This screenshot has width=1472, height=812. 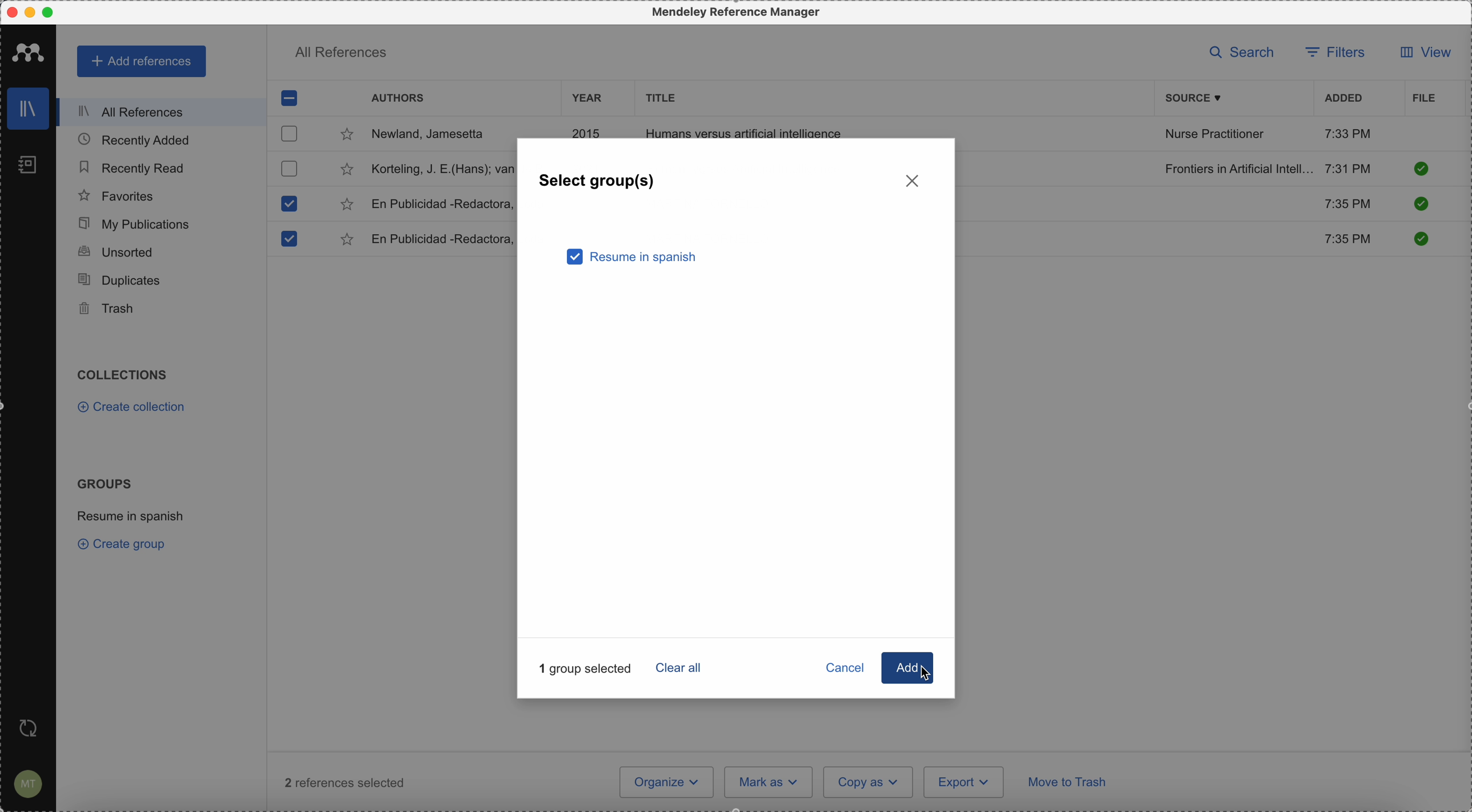 I want to click on view, so click(x=1422, y=52).